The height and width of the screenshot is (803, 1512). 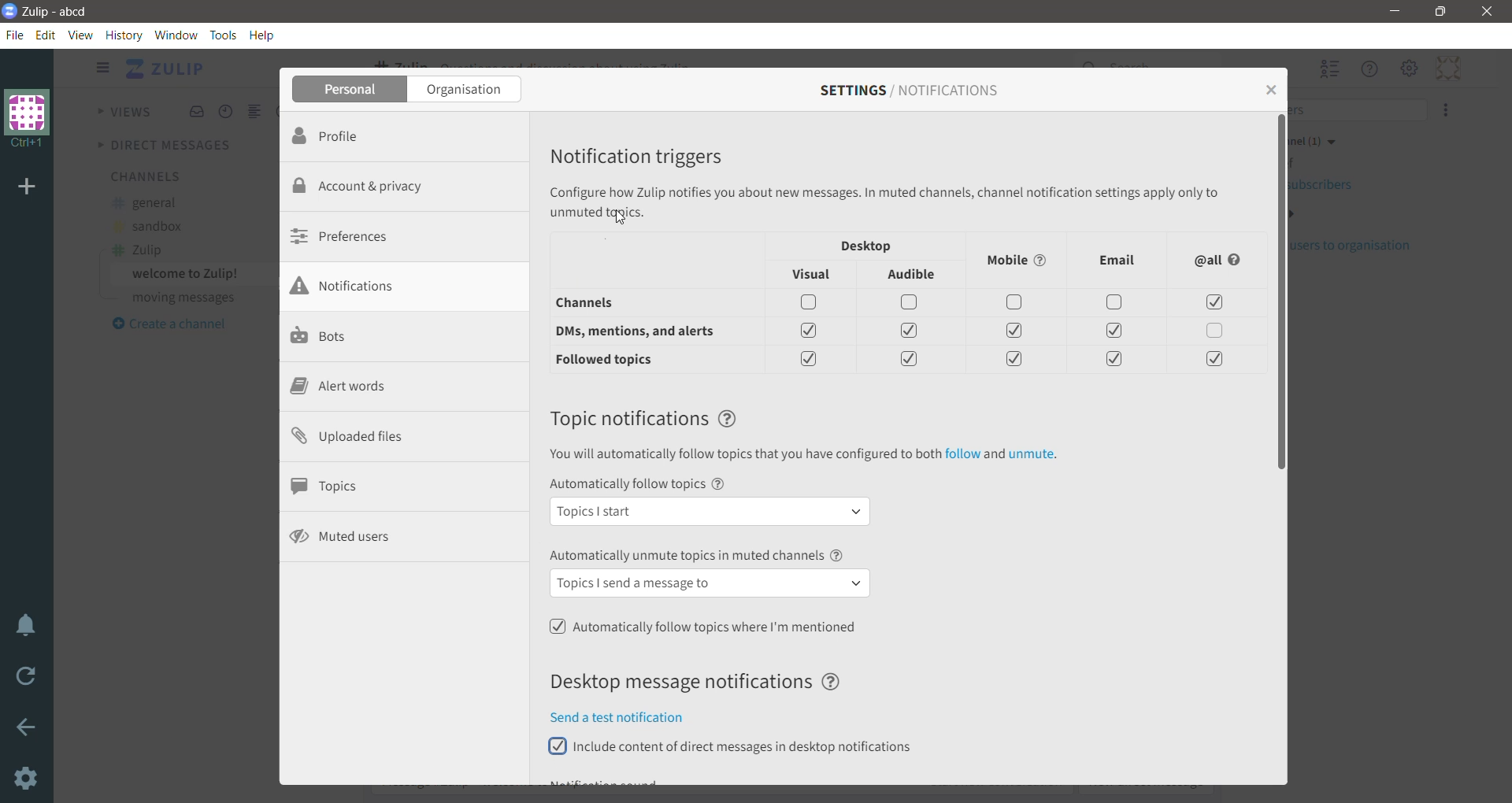 What do you see at coordinates (30, 187) in the screenshot?
I see `Add organization` at bounding box center [30, 187].